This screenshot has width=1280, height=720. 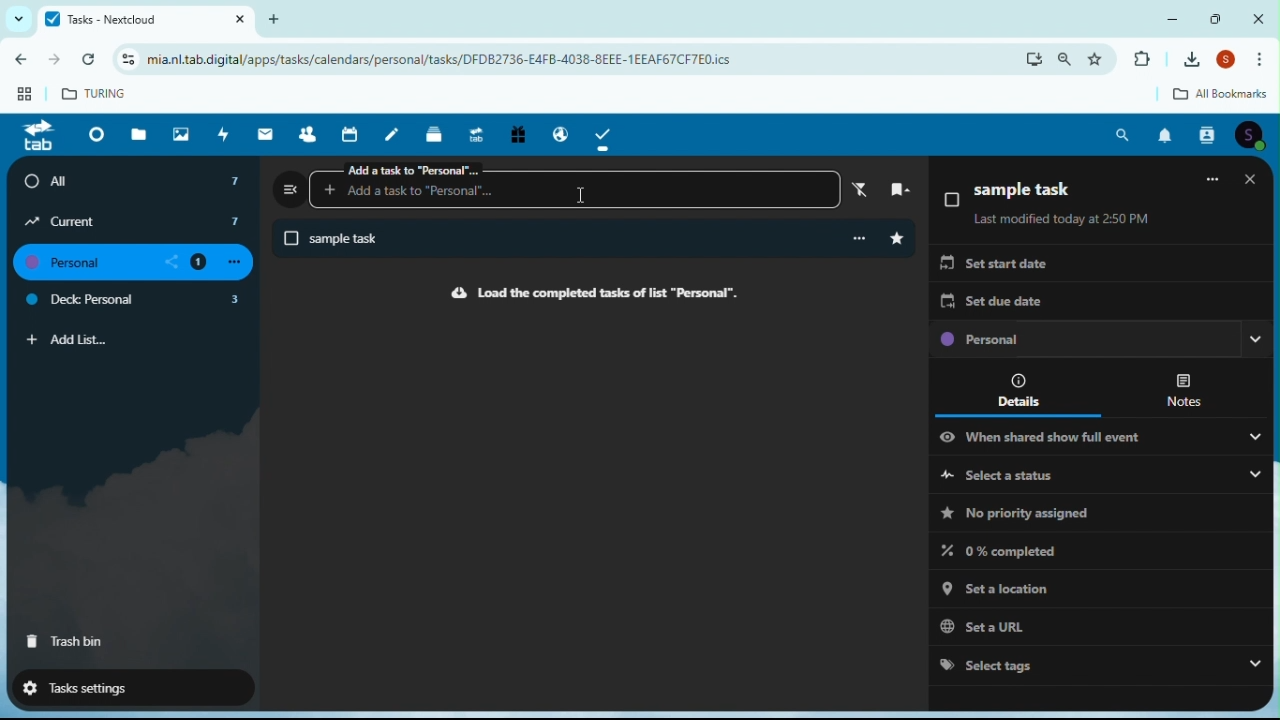 What do you see at coordinates (56, 62) in the screenshot?
I see `fordward` at bounding box center [56, 62].